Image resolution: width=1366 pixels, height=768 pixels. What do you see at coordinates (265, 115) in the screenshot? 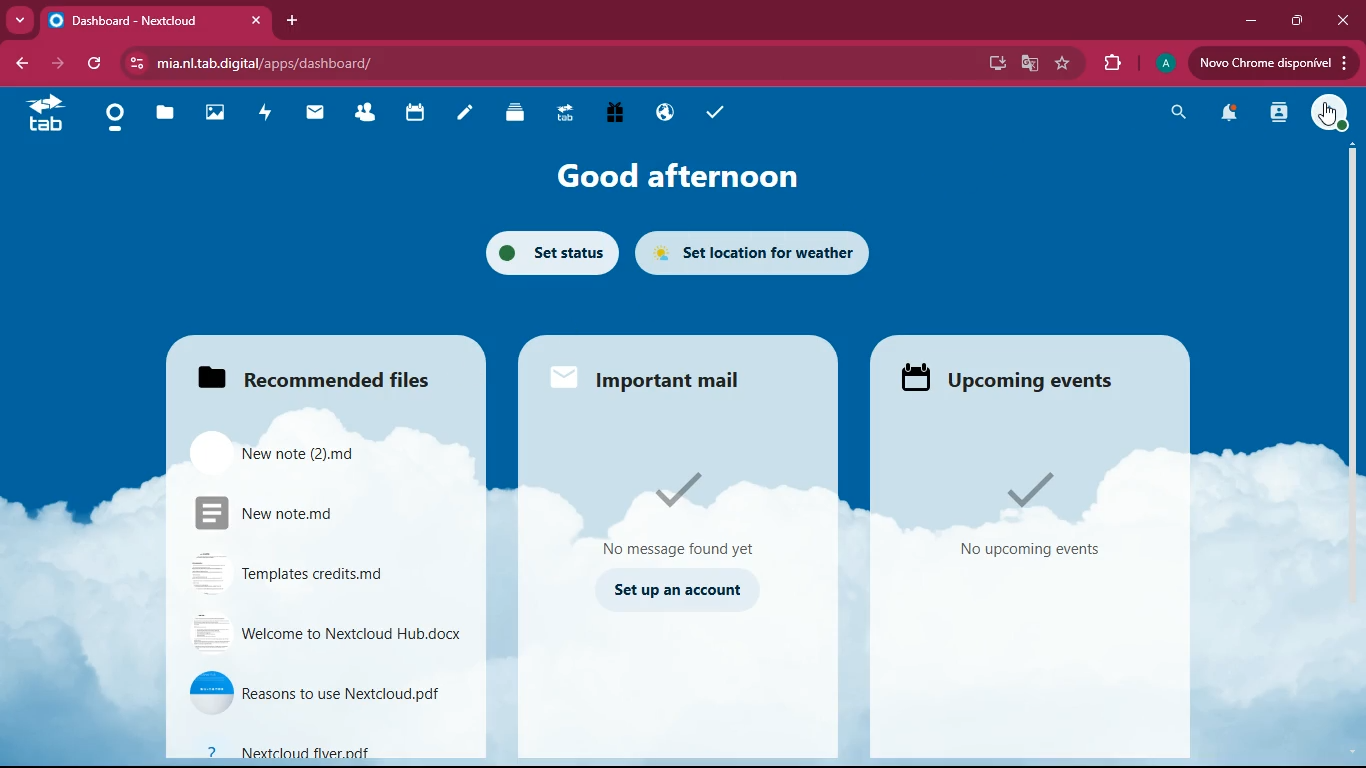
I see `activity` at bounding box center [265, 115].